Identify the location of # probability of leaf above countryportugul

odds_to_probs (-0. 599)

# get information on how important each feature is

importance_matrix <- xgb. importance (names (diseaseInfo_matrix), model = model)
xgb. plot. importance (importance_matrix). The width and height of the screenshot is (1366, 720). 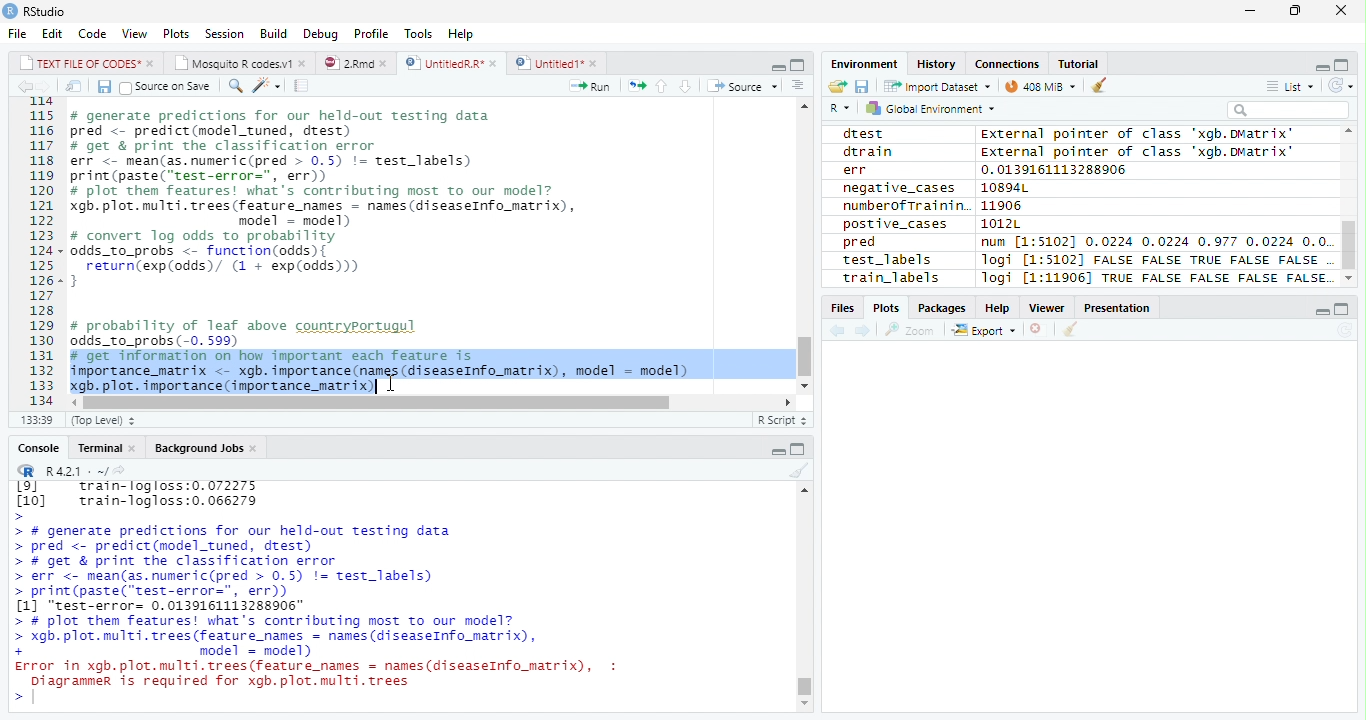
(388, 354).